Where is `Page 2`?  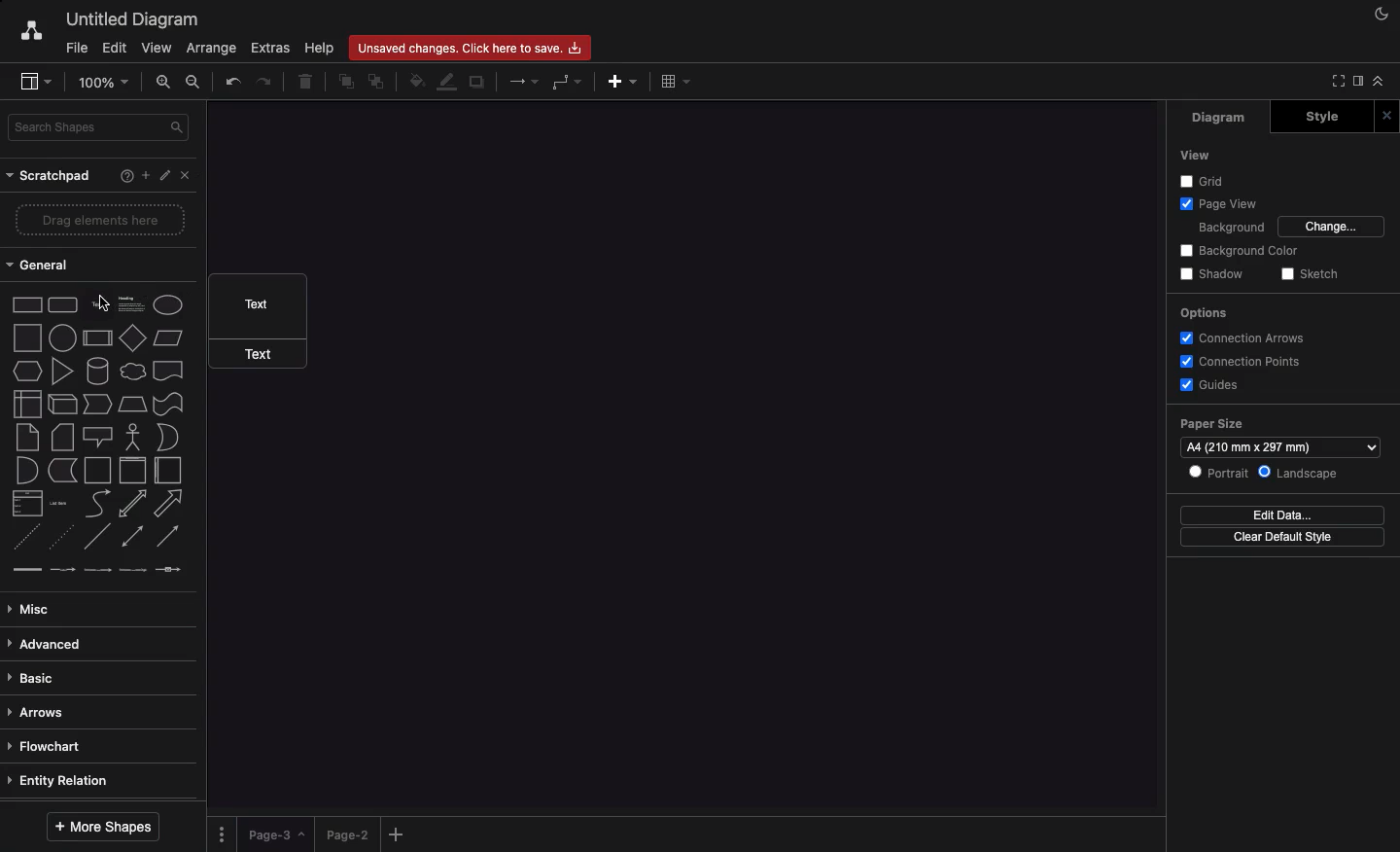 Page 2 is located at coordinates (345, 834).